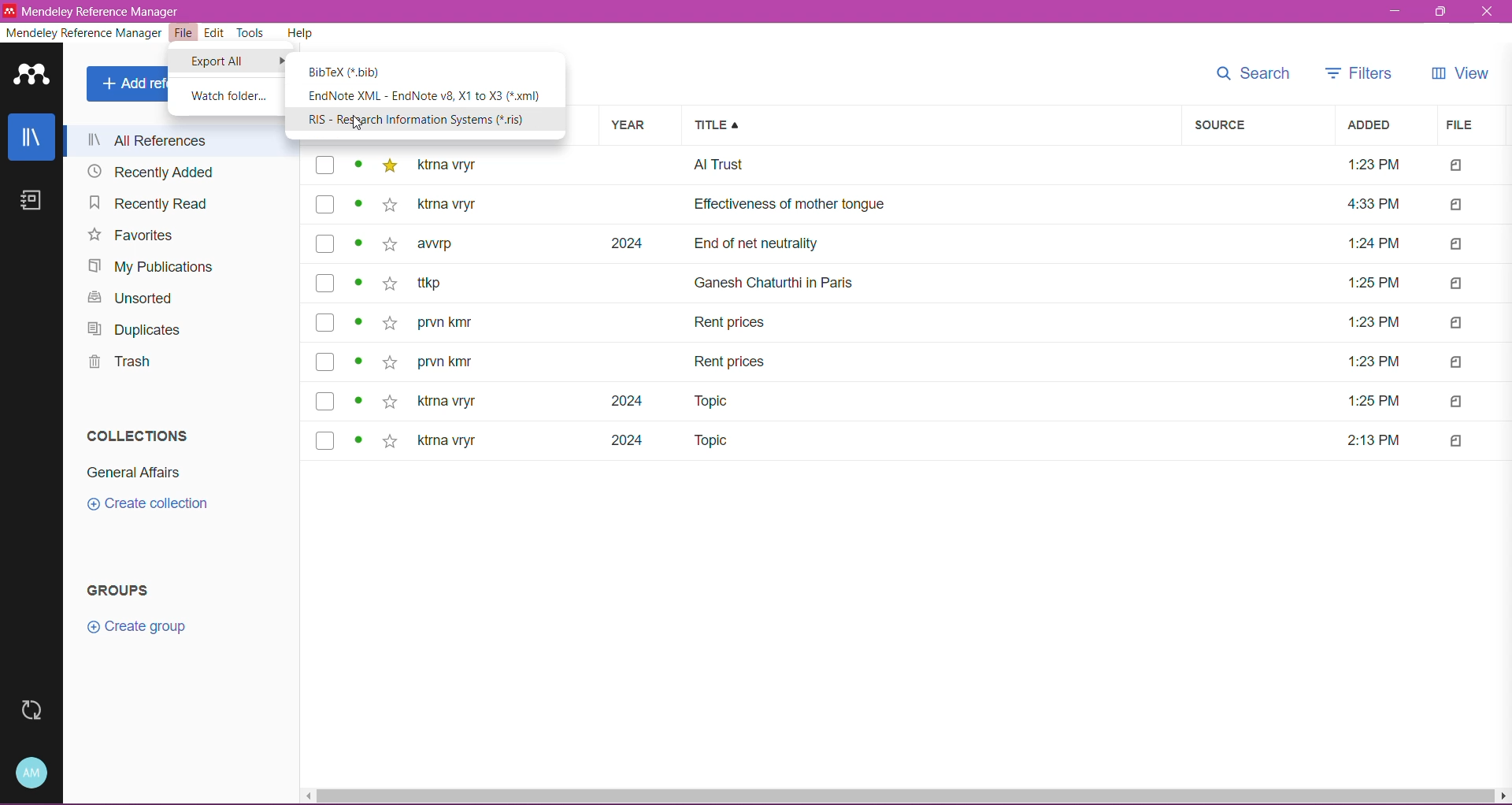  What do you see at coordinates (185, 33) in the screenshot?
I see `File` at bounding box center [185, 33].